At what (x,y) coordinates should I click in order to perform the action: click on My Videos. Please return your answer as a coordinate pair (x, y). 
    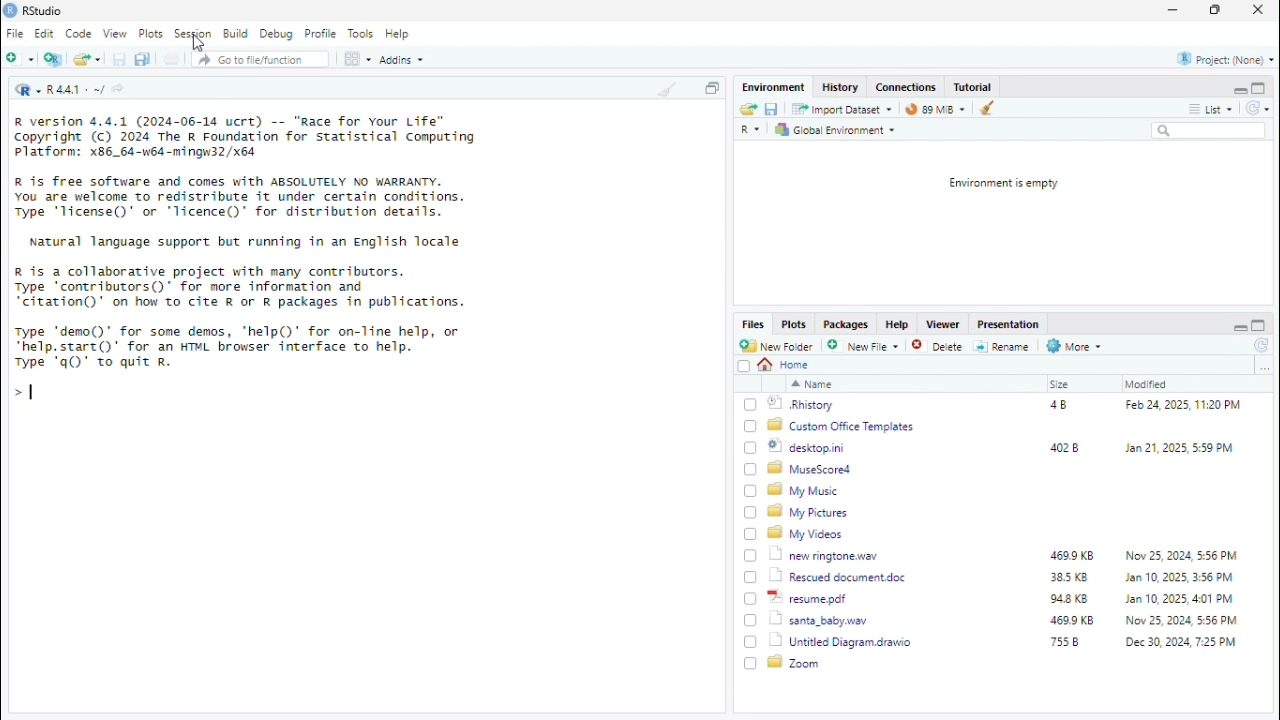
    Looking at the image, I should click on (807, 533).